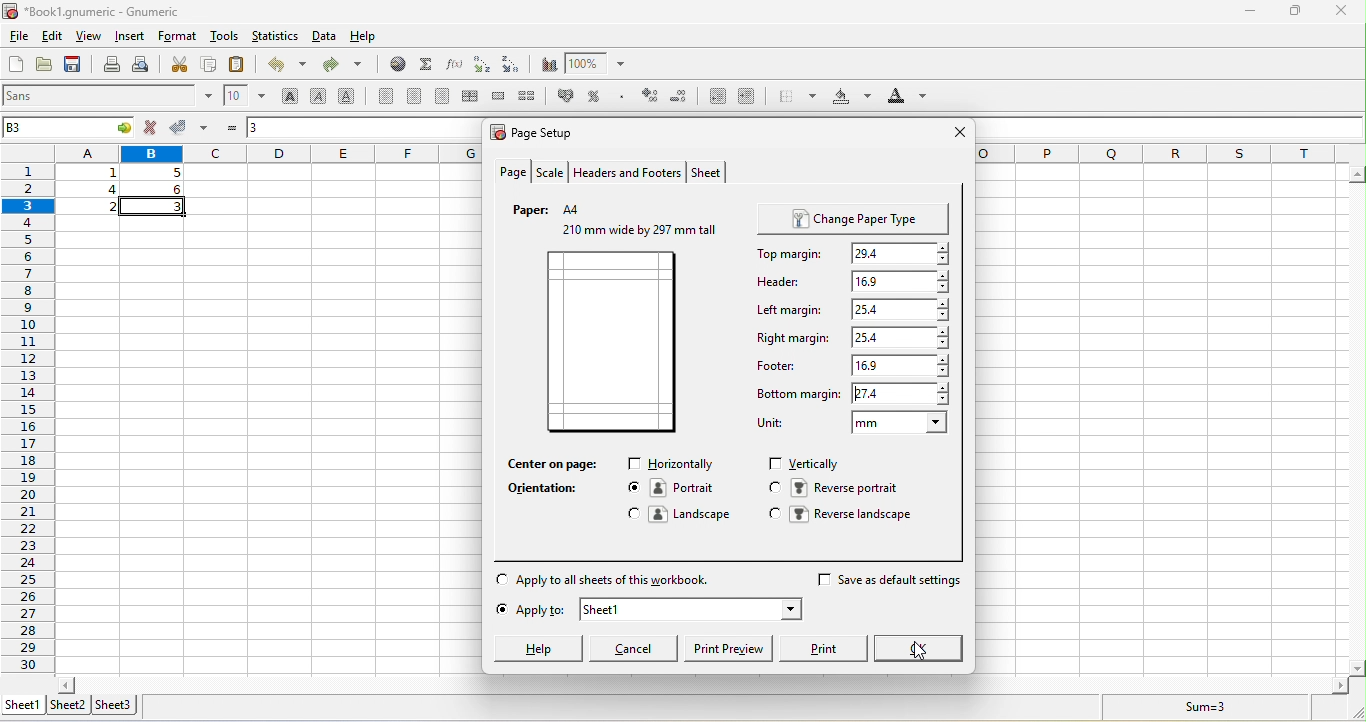  Describe the element at coordinates (19, 37) in the screenshot. I see `file` at that location.